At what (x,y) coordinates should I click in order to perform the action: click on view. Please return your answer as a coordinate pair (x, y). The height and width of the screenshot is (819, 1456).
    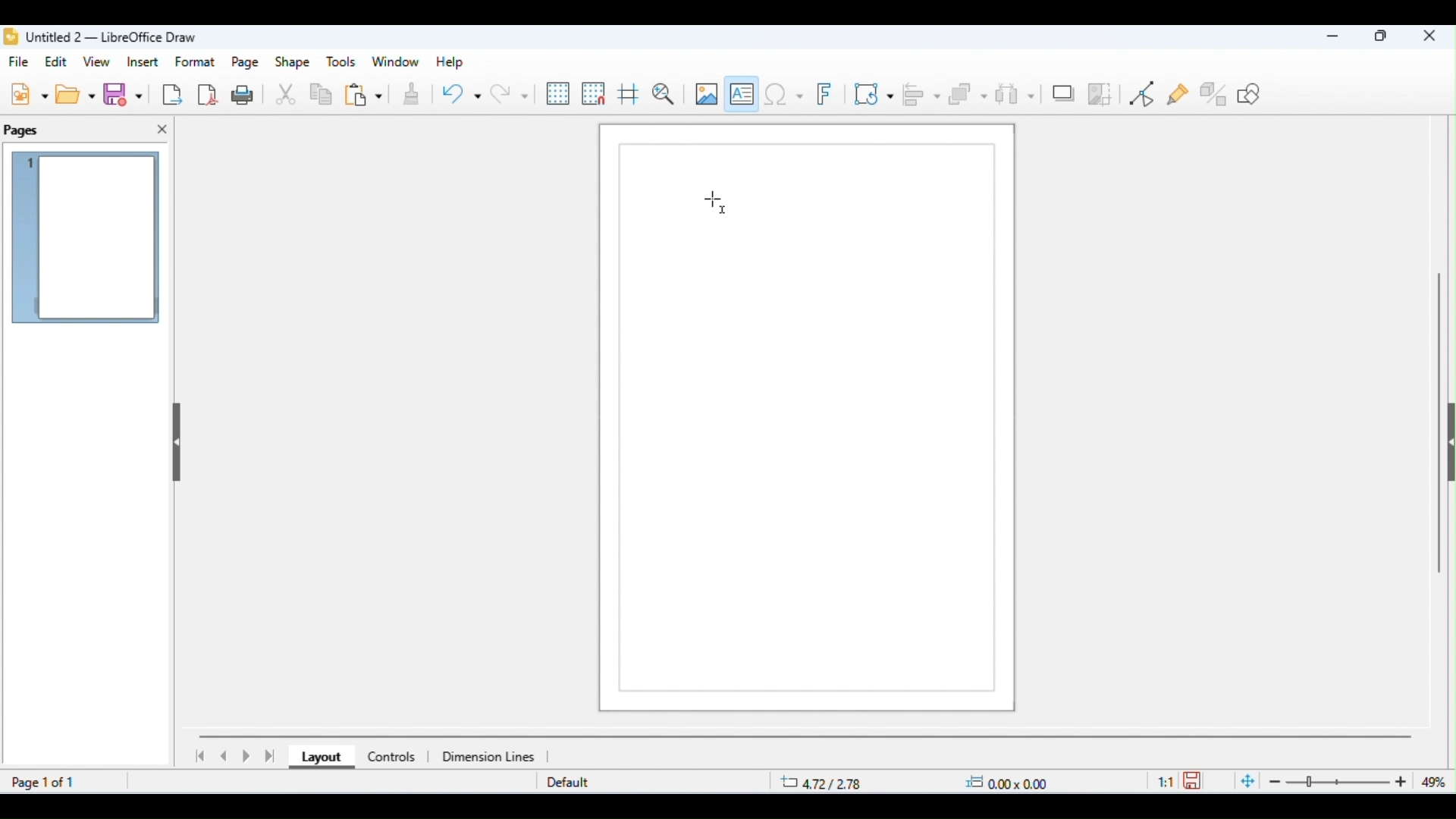
    Looking at the image, I should click on (99, 63).